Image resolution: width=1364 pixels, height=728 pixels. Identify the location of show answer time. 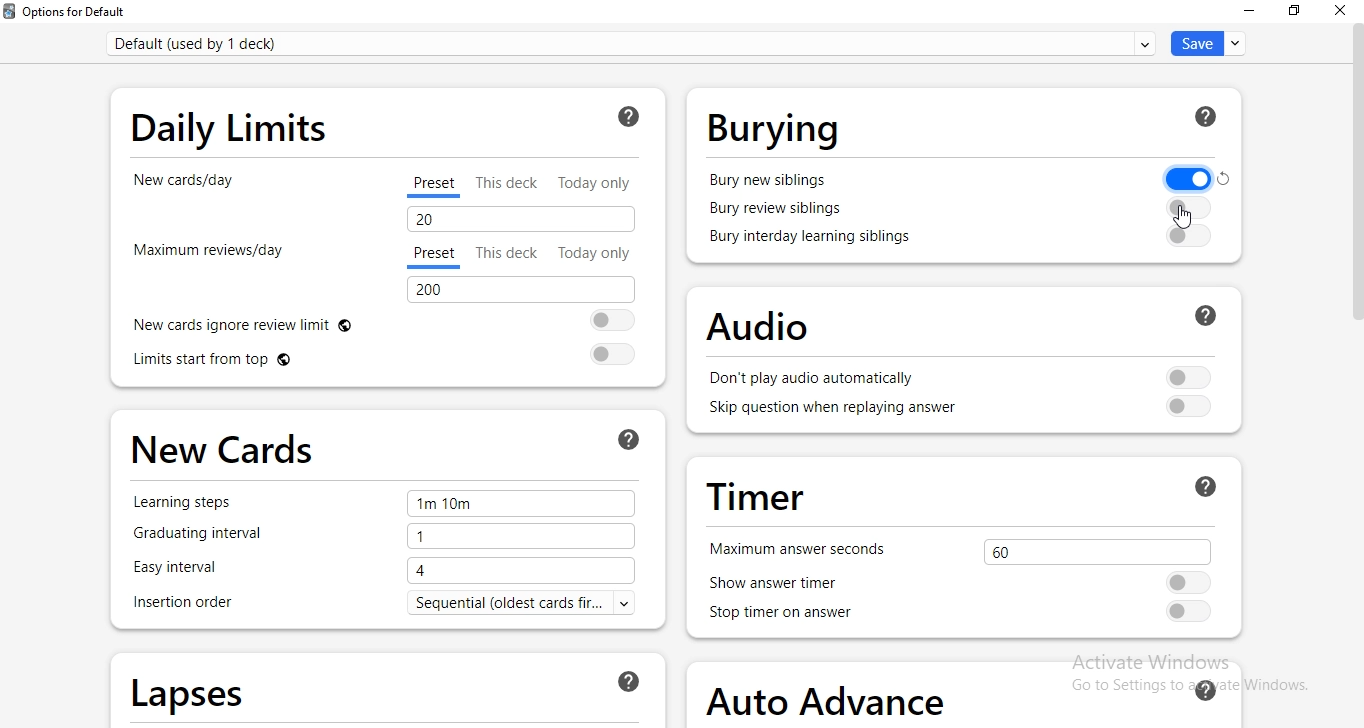
(792, 584).